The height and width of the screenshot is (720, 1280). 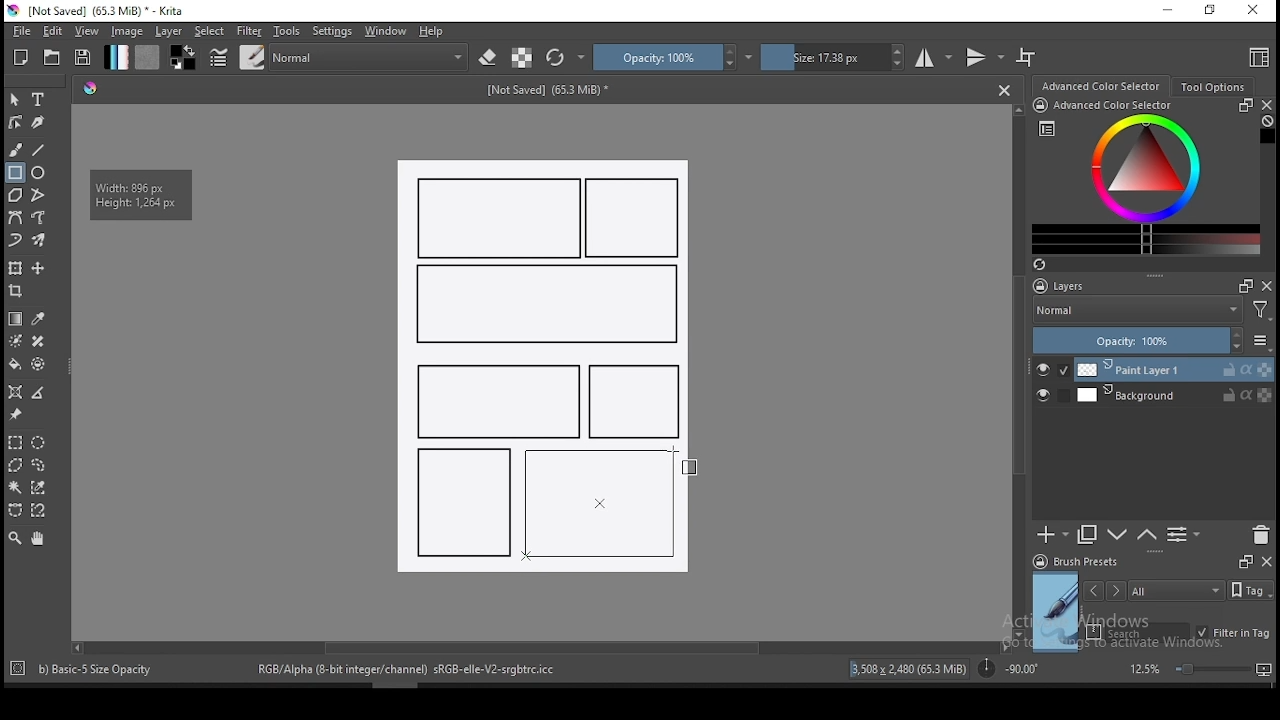 I want to click on reload original preset, so click(x=566, y=57).